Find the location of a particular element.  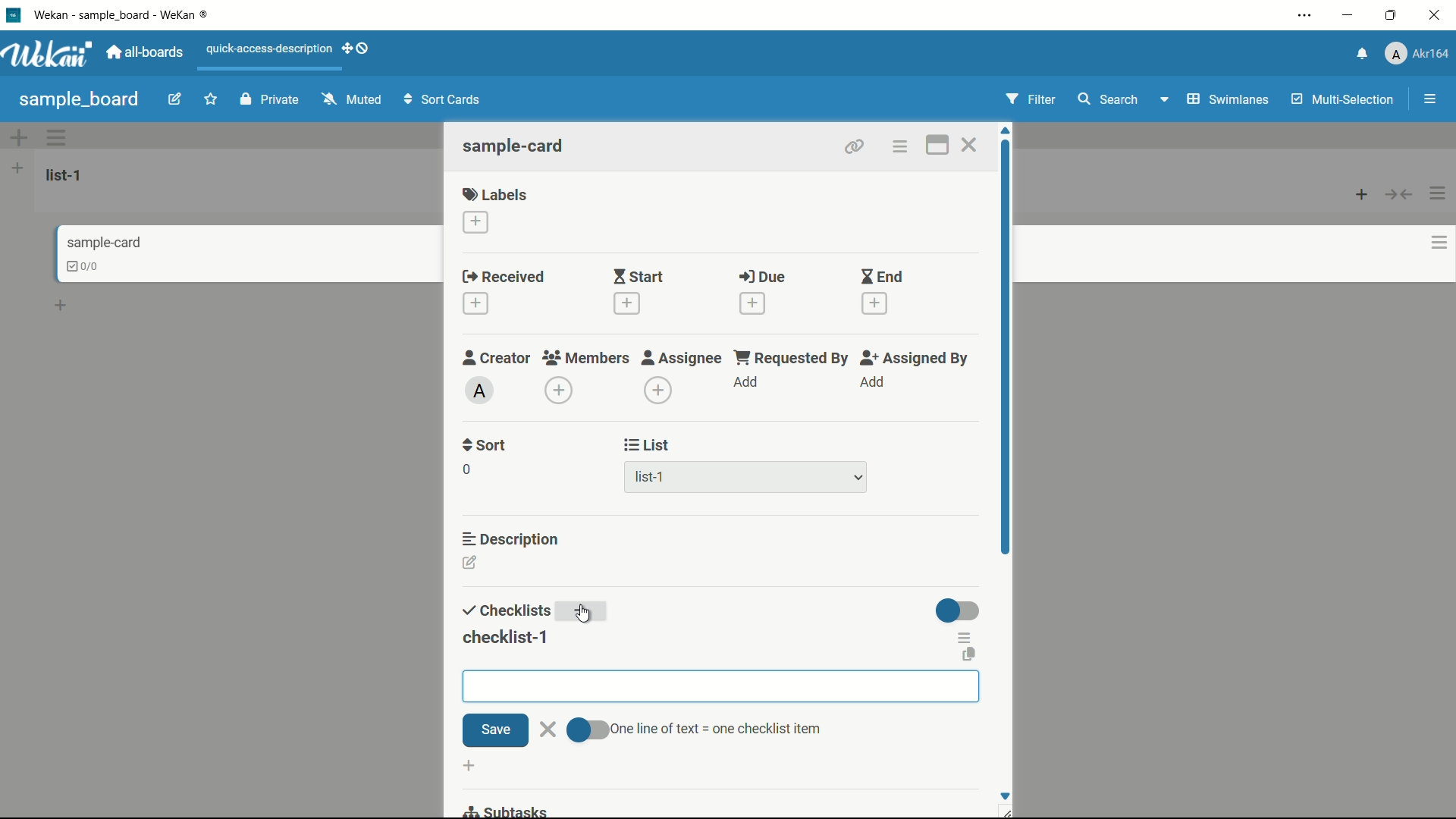

minimize is located at coordinates (1346, 16).